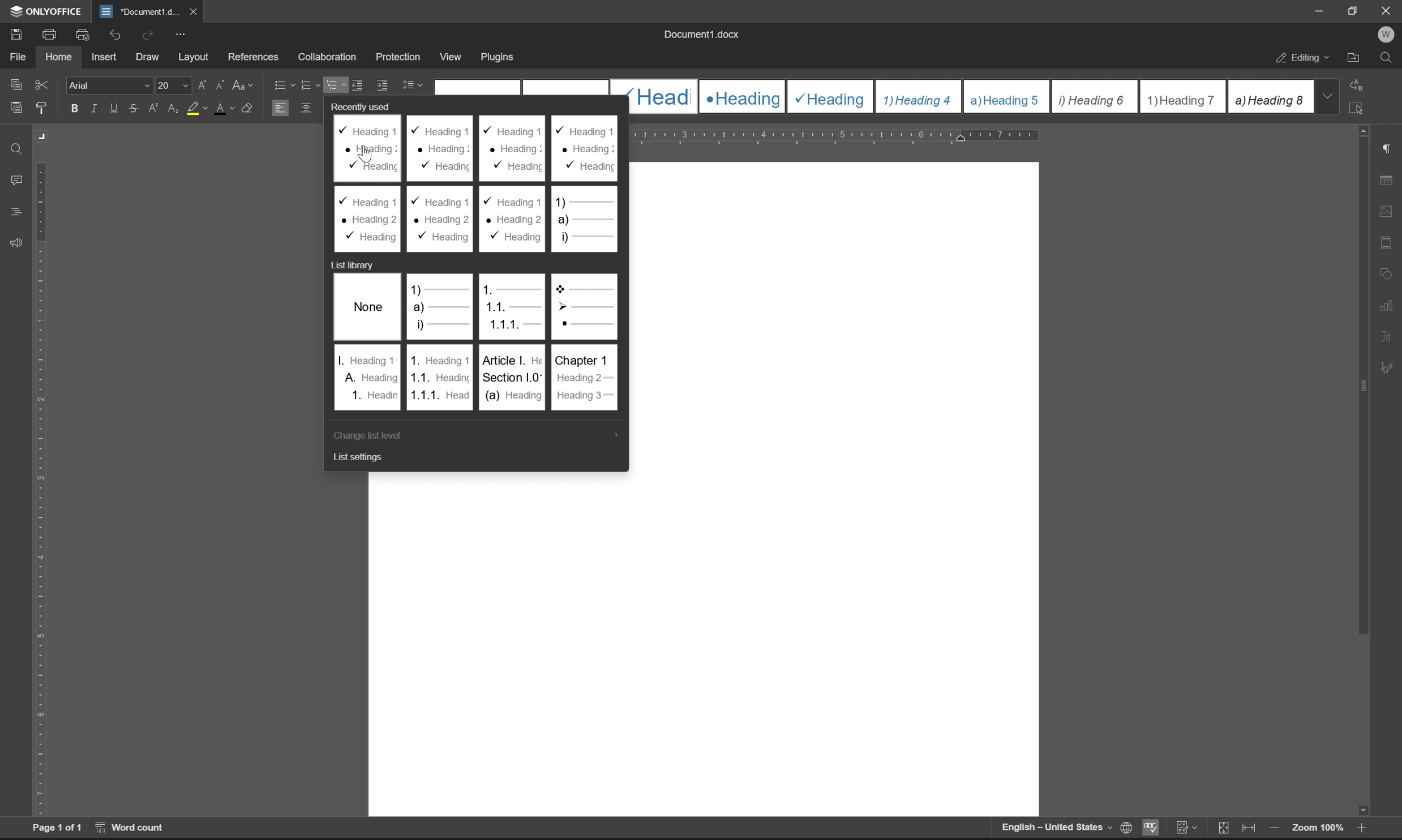  Describe the element at coordinates (44, 136) in the screenshot. I see `Margin` at that location.